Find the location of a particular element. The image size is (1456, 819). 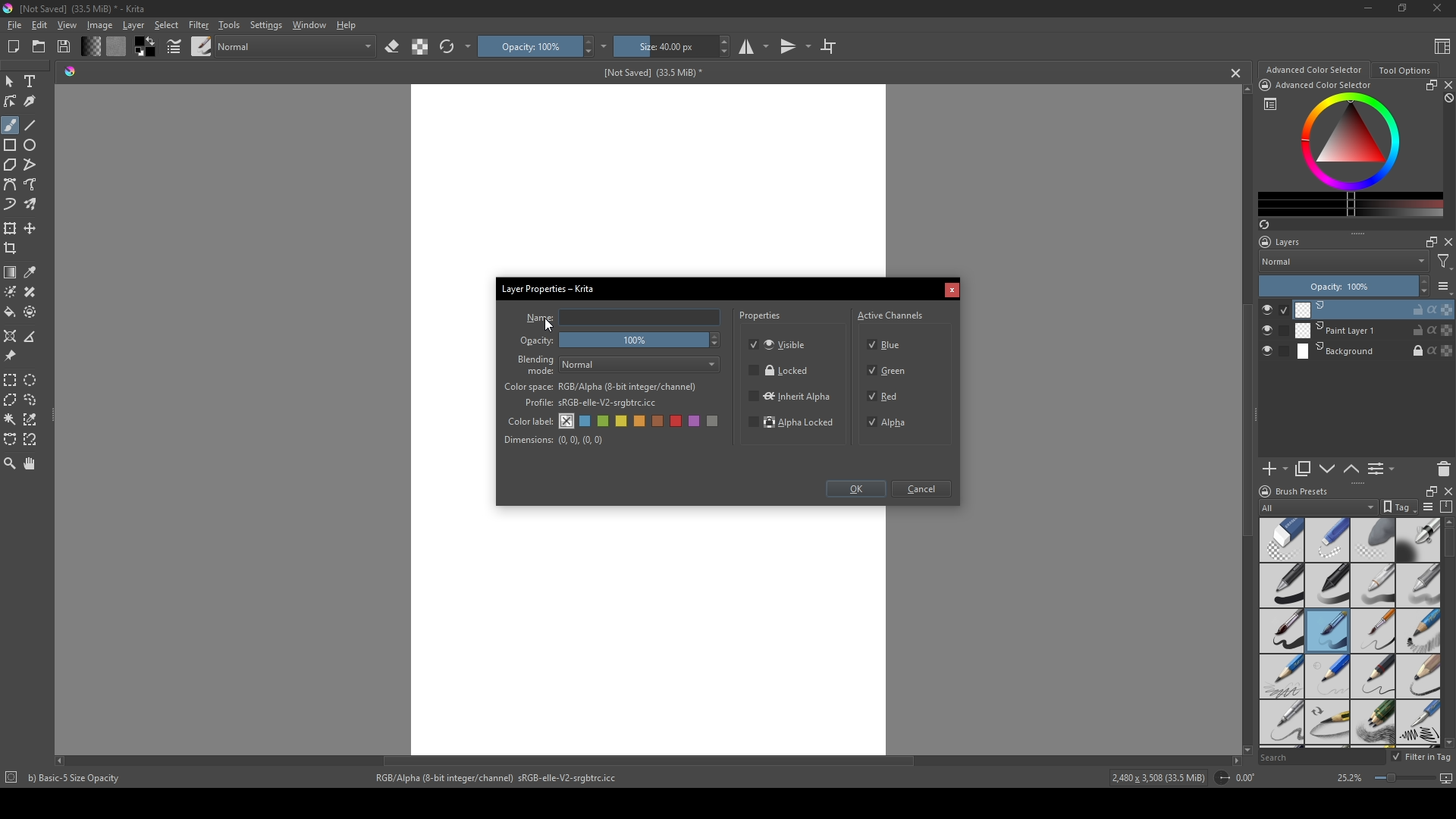

standard eraser is located at coordinates (1281, 539).